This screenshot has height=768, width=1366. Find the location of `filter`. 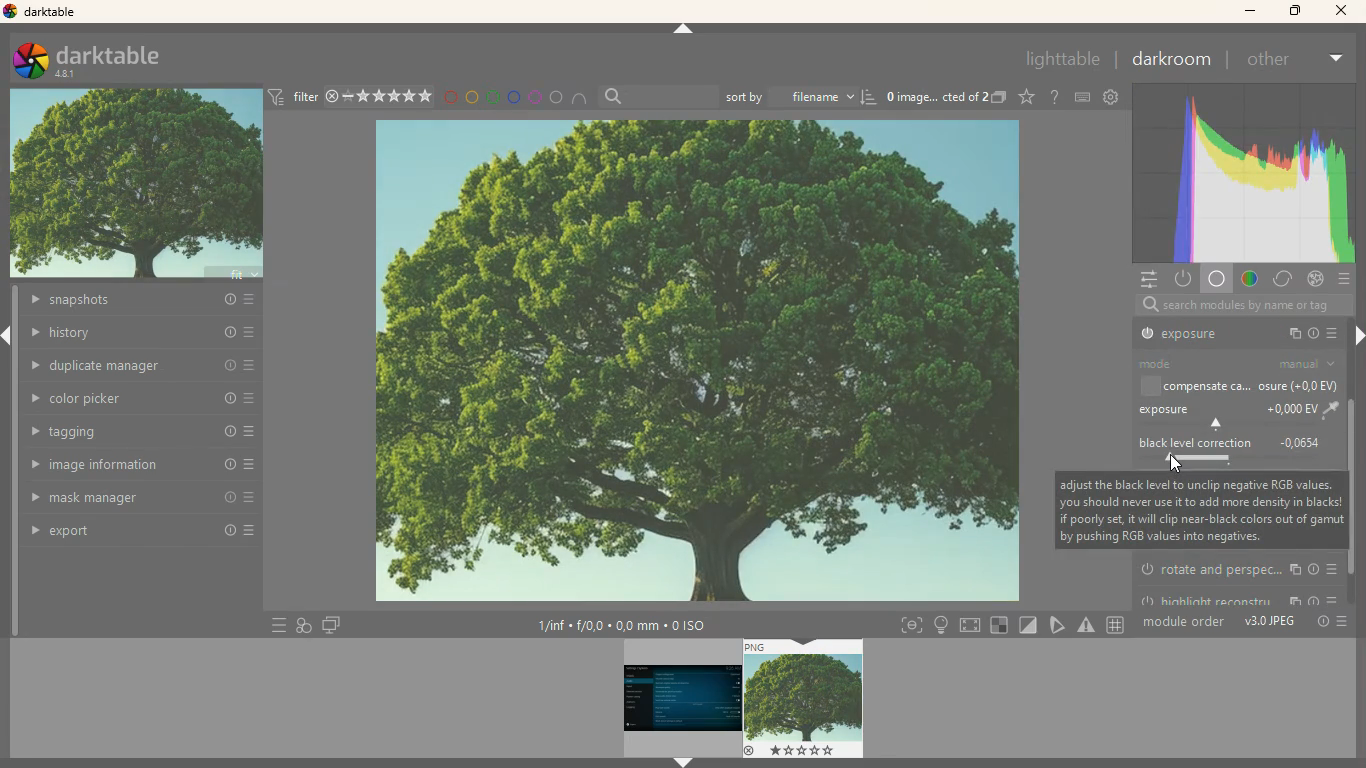

filter is located at coordinates (305, 94).